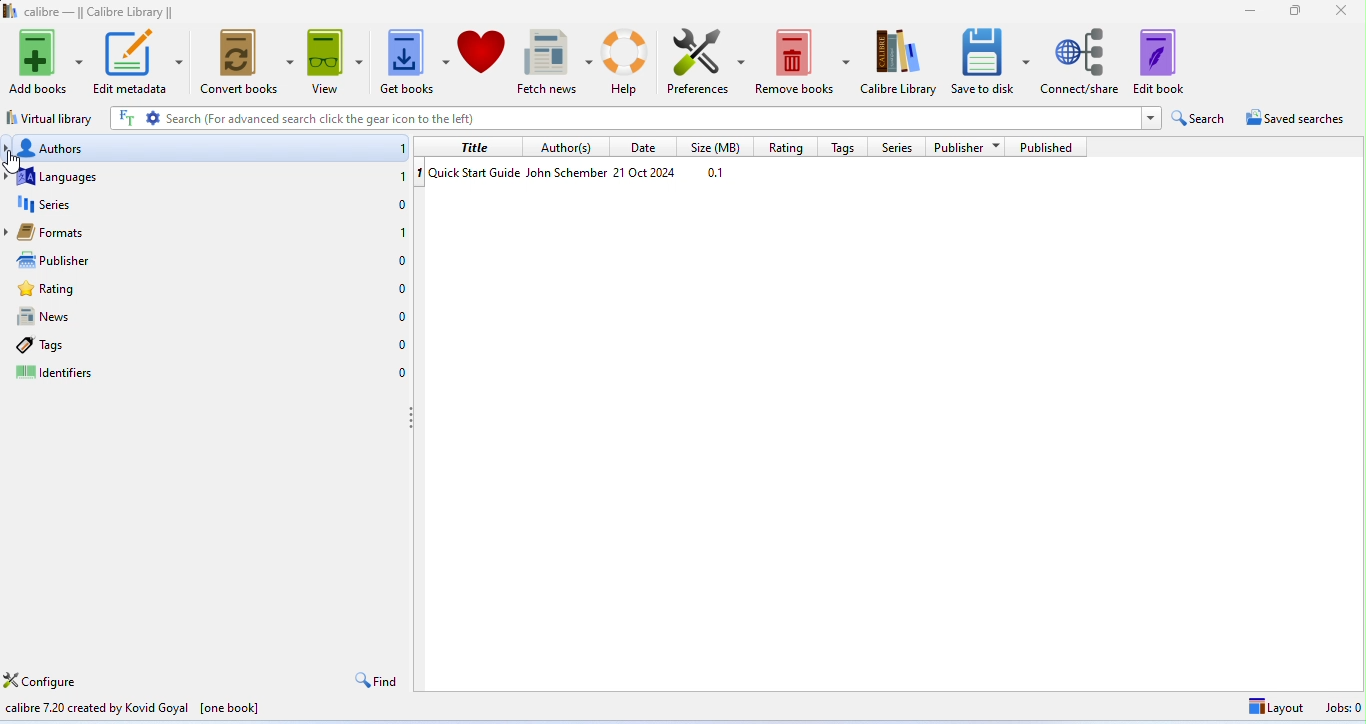 Image resolution: width=1366 pixels, height=724 pixels. I want to click on author(s), so click(569, 147).